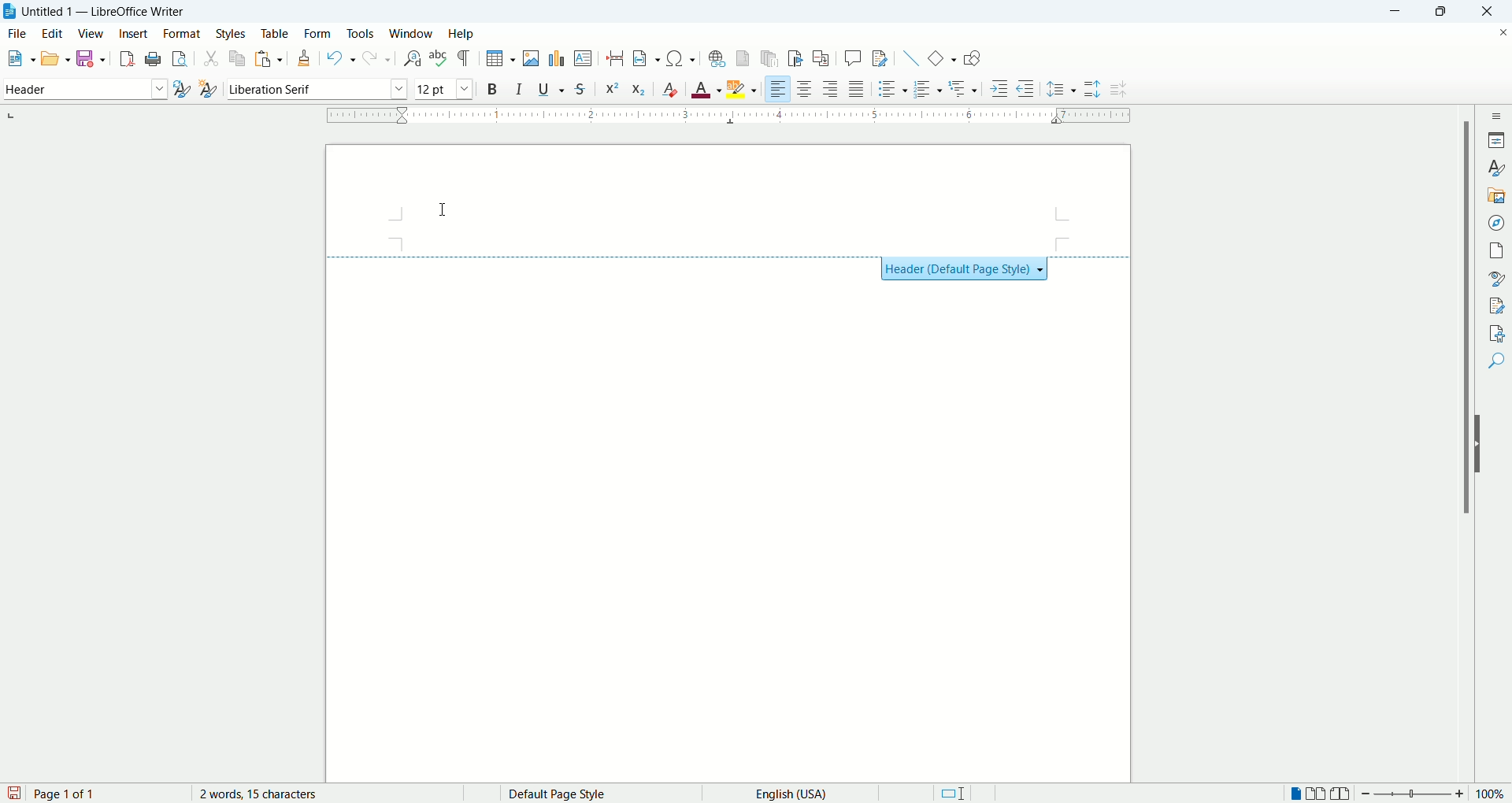 Image resolution: width=1512 pixels, height=803 pixels. What do you see at coordinates (972, 58) in the screenshot?
I see `show draw functions` at bounding box center [972, 58].